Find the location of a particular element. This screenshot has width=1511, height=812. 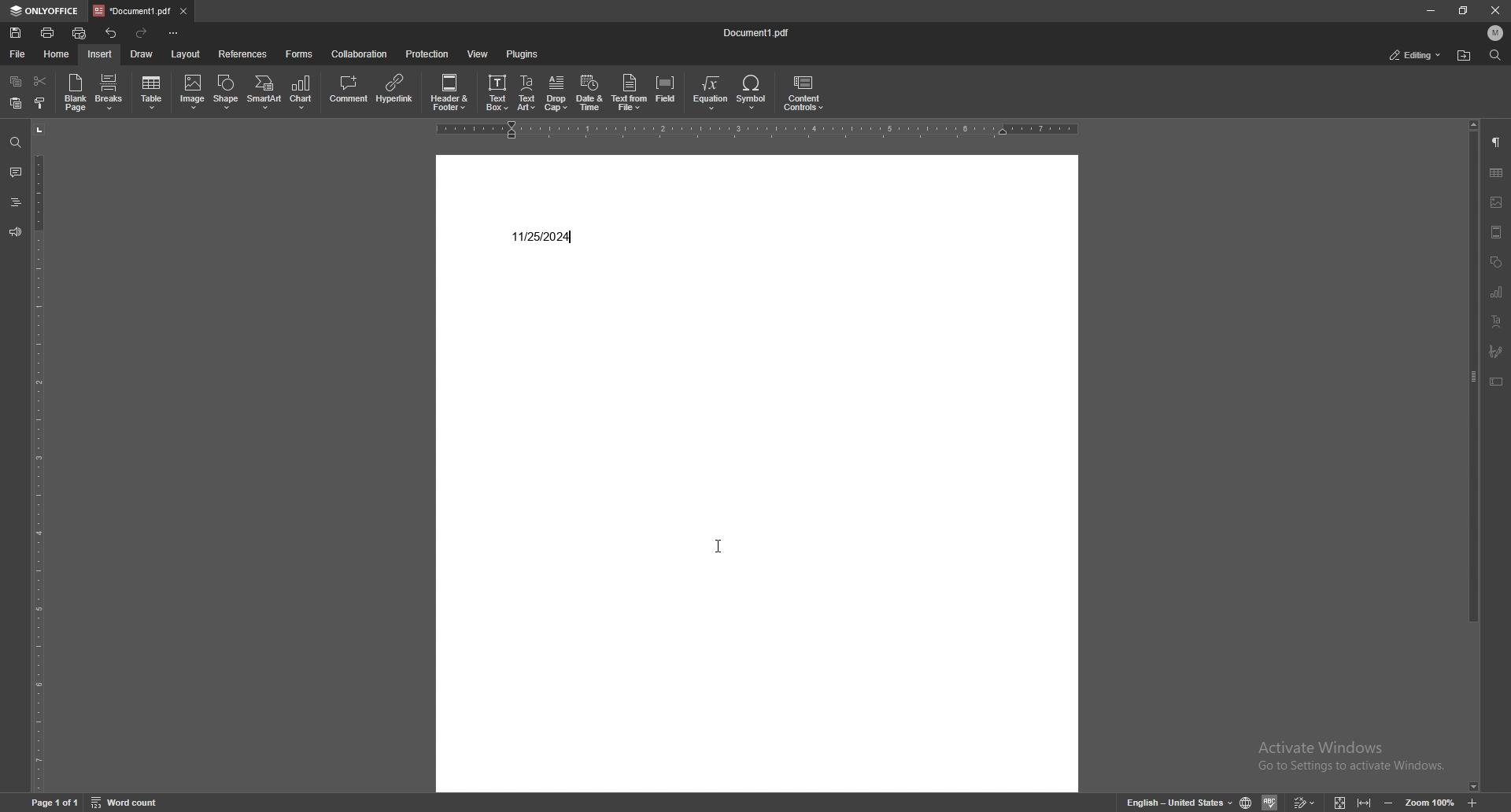

shapes is located at coordinates (1498, 262).